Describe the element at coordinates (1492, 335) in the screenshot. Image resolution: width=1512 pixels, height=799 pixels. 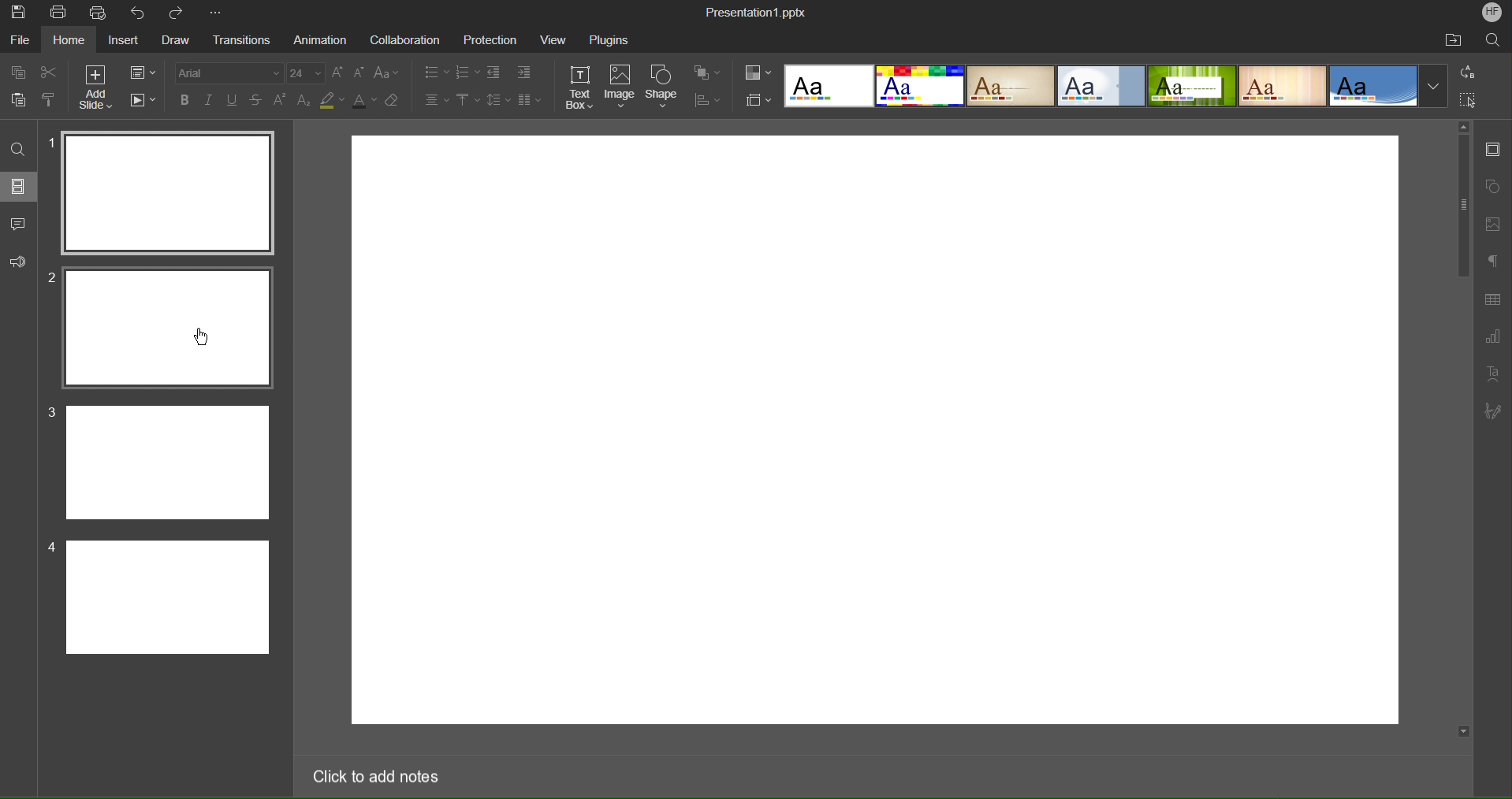
I see `Graph Settings` at that location.